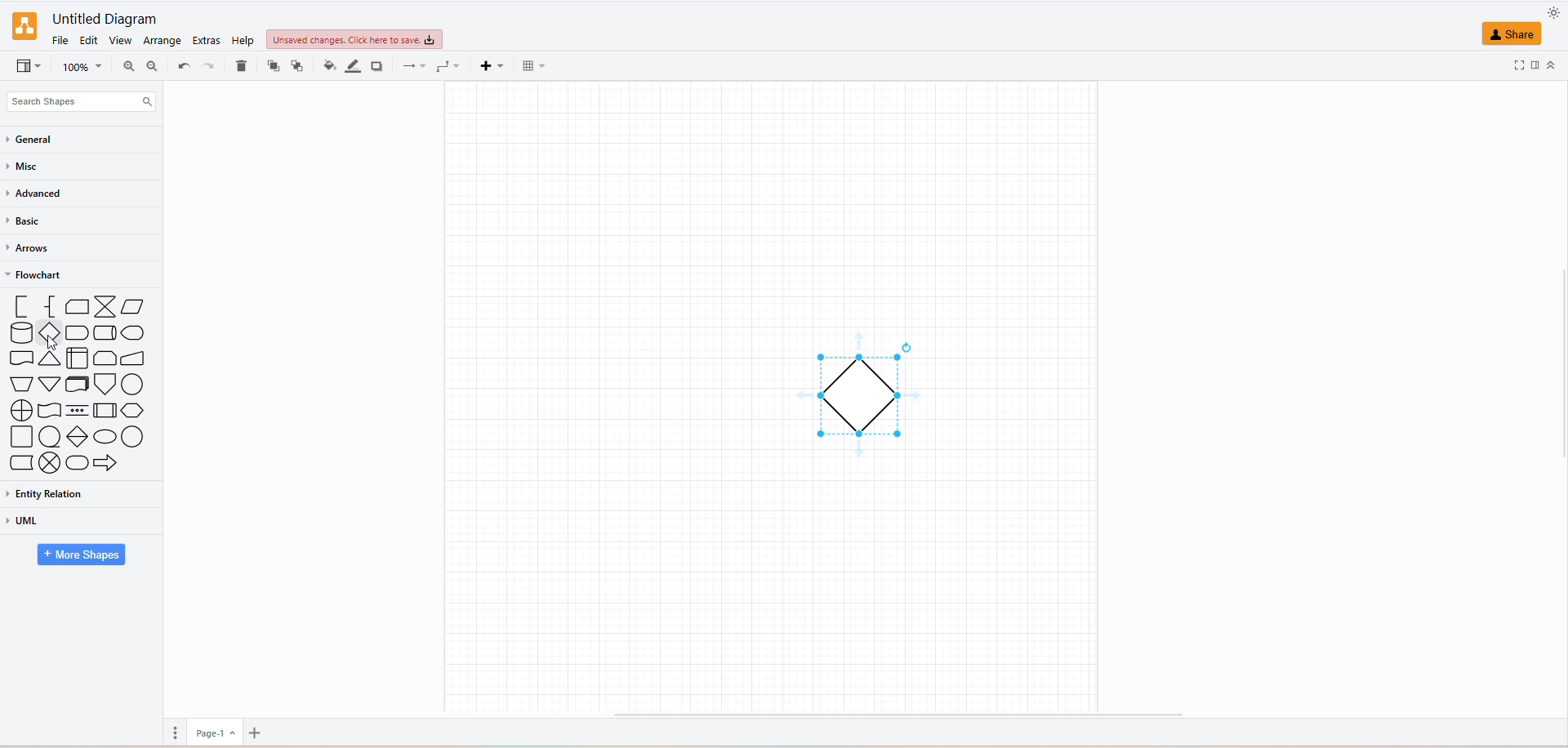  I want to click on APPEARANCE, so click(1552, 11).